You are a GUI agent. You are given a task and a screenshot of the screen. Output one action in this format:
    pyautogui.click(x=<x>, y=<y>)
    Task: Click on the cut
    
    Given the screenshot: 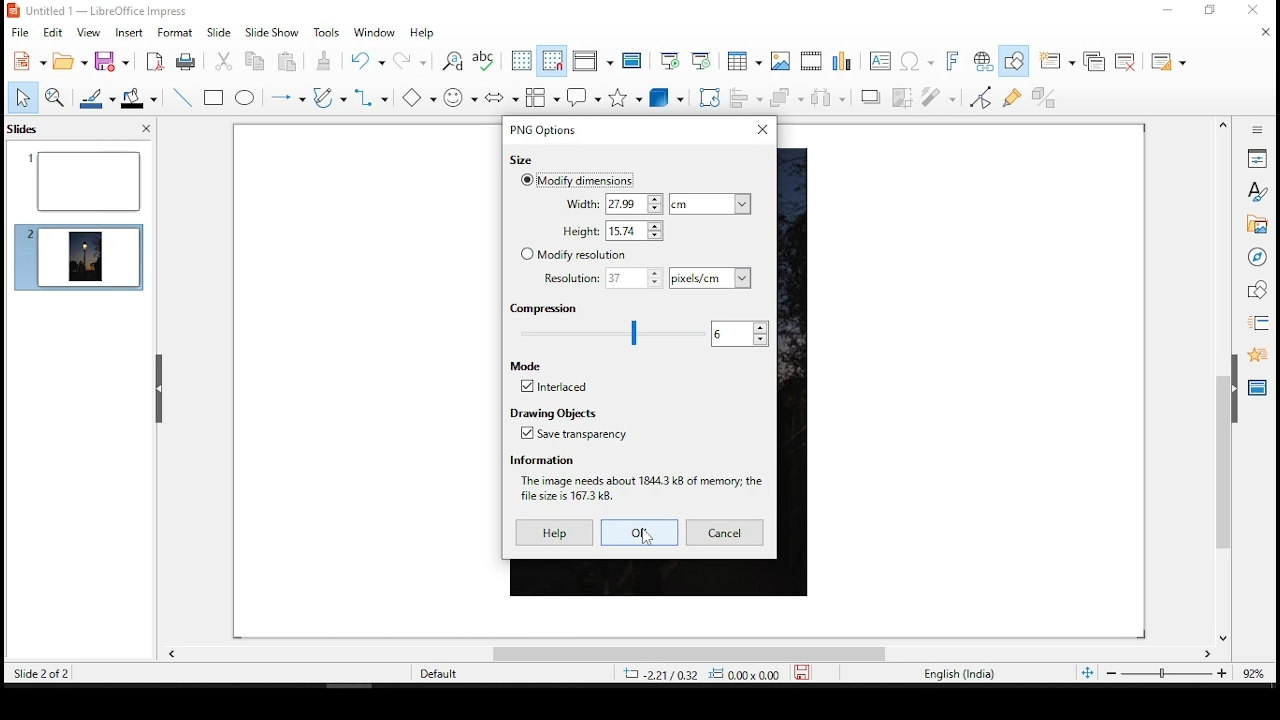 What is the action you would take?
    pyautogui.click(x=223, y=63)
    